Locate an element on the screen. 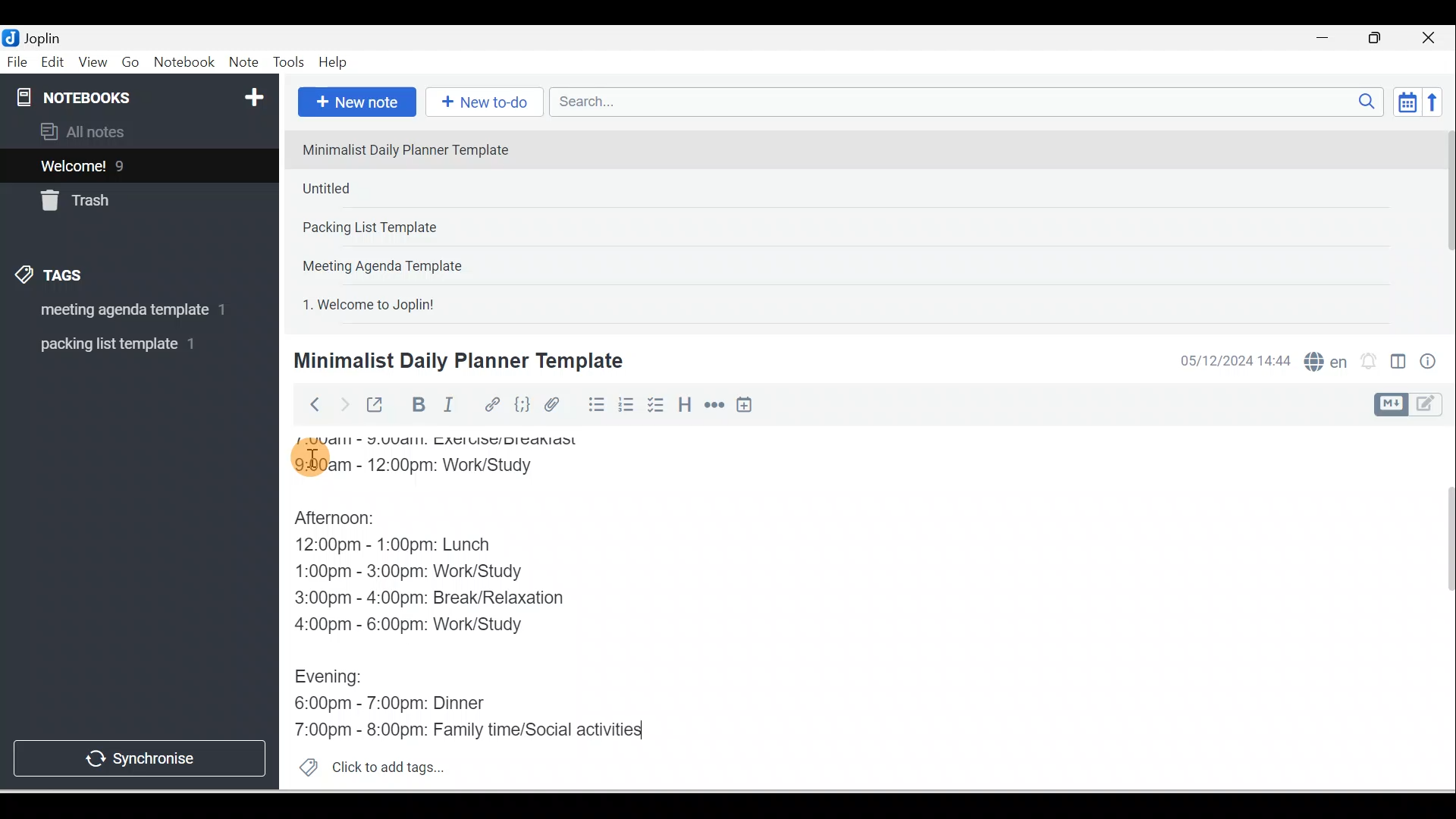 Image resolution: width=1456 pixels, height=819 pixels. 7:00am - 9:00am: Exercise/Breakfast is located at coordinates (452, 444).